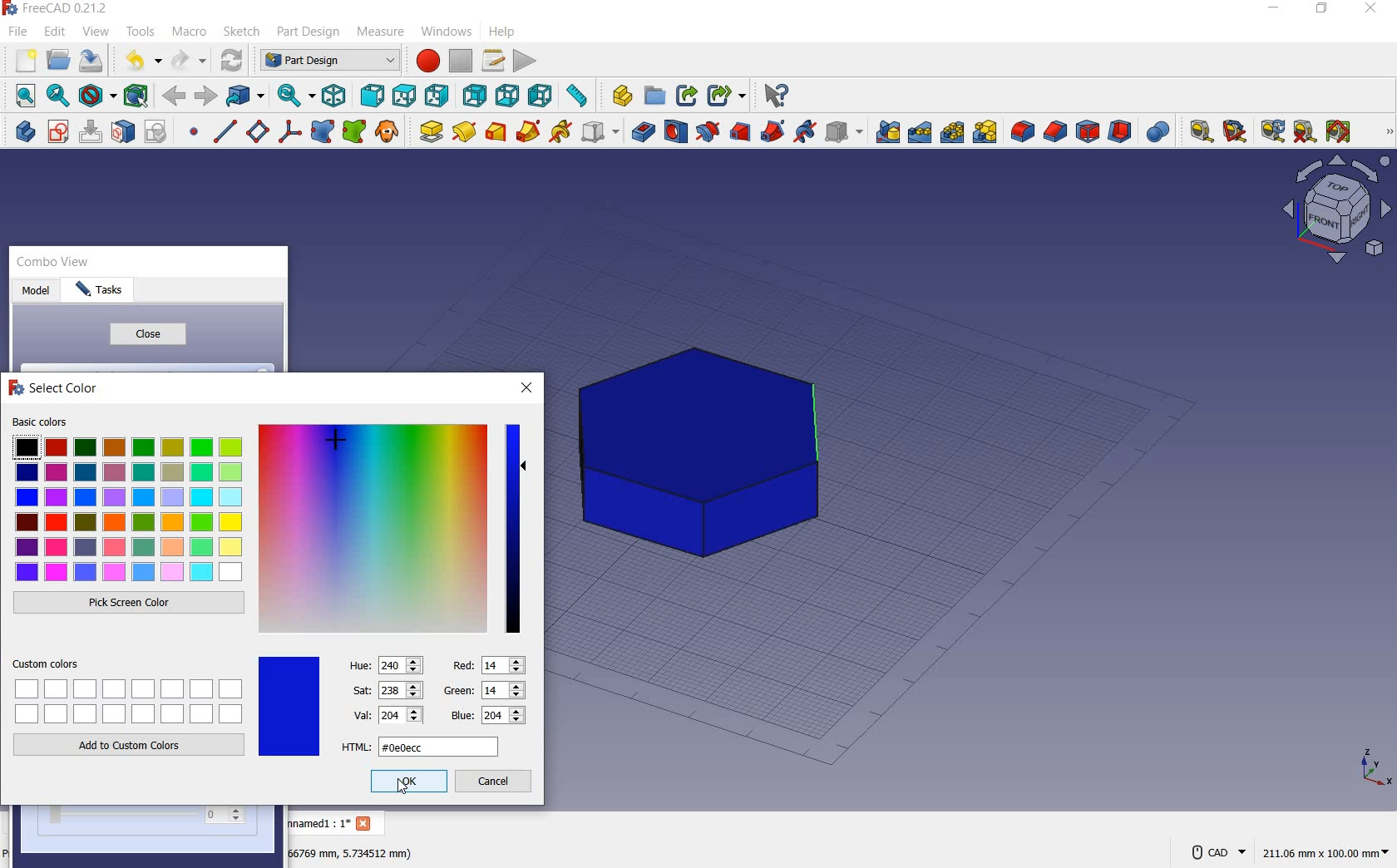 The image size is (1397, 868). Describe the element at coordinates (1275, 11) in the screenshot. I see `MINIMIZE` at that location.